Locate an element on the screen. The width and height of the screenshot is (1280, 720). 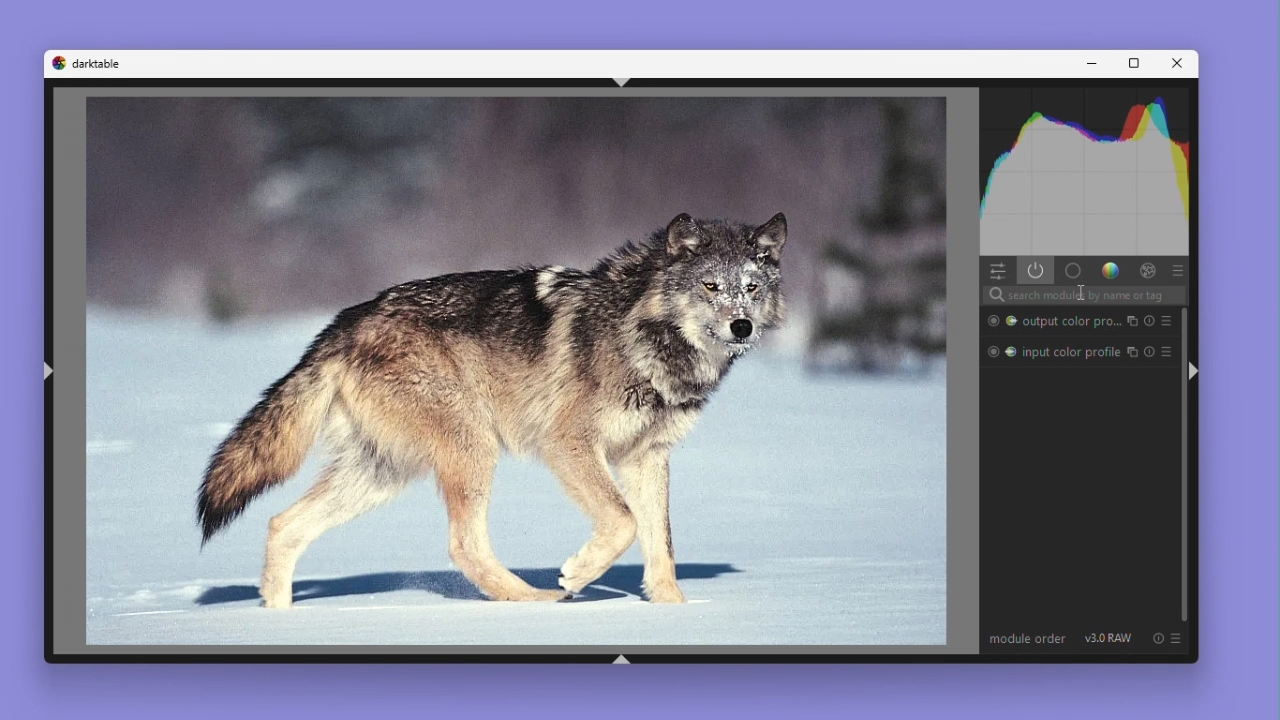
preset is located at coordinates (1165, 320).